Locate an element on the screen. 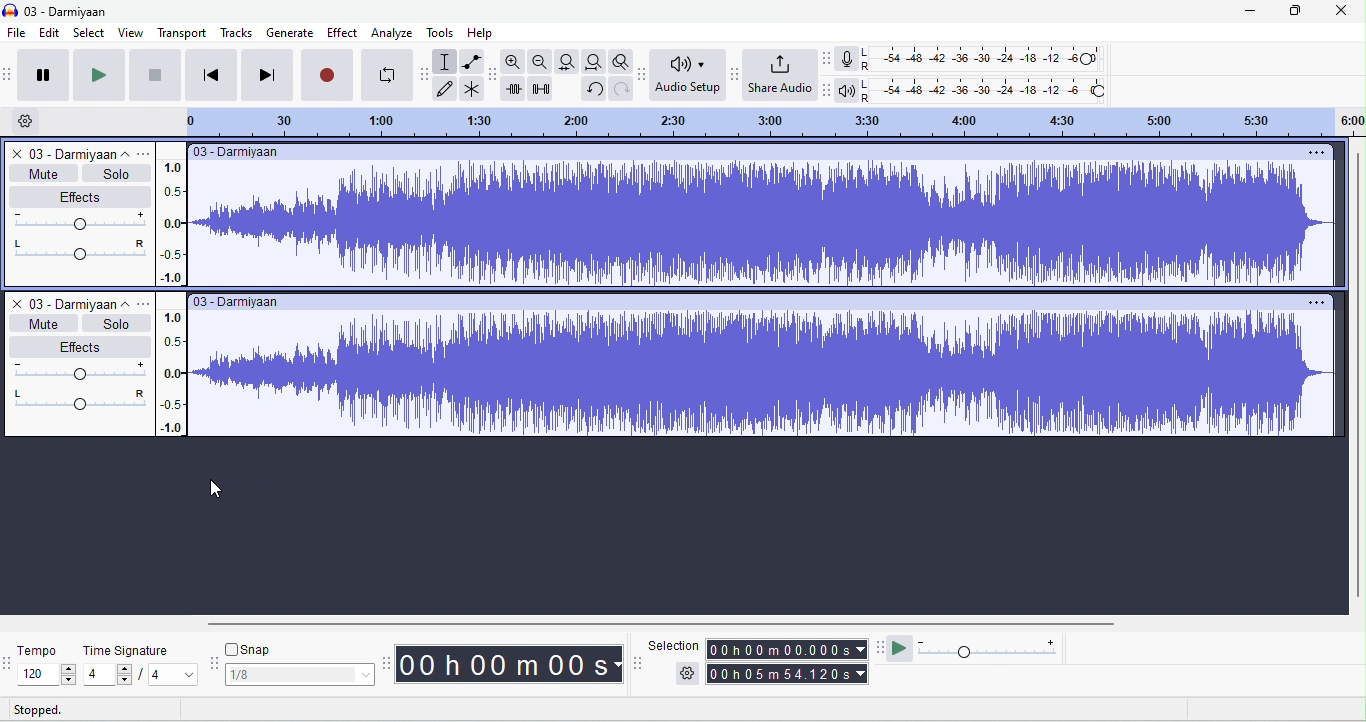  play at speed/ play at speed once is located at coordinates (901, 647).